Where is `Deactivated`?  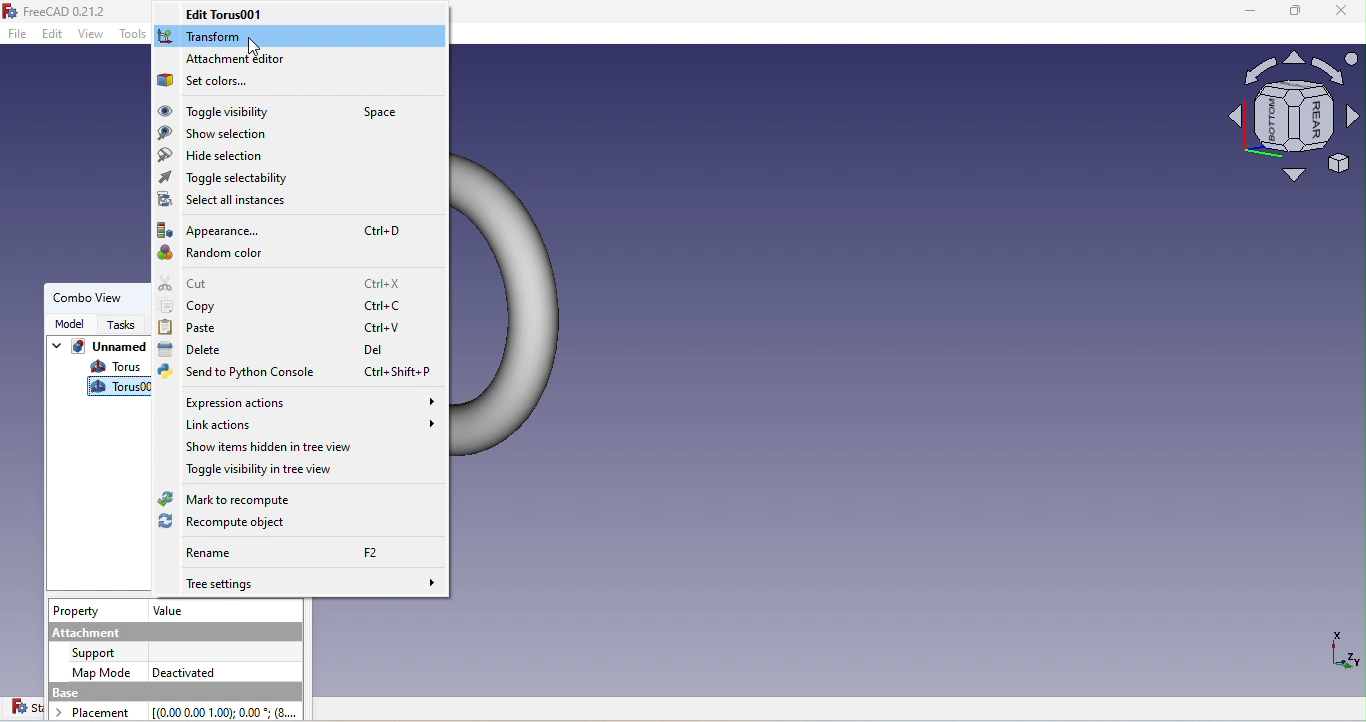 Deactivated is located at coordinates (183, 670).